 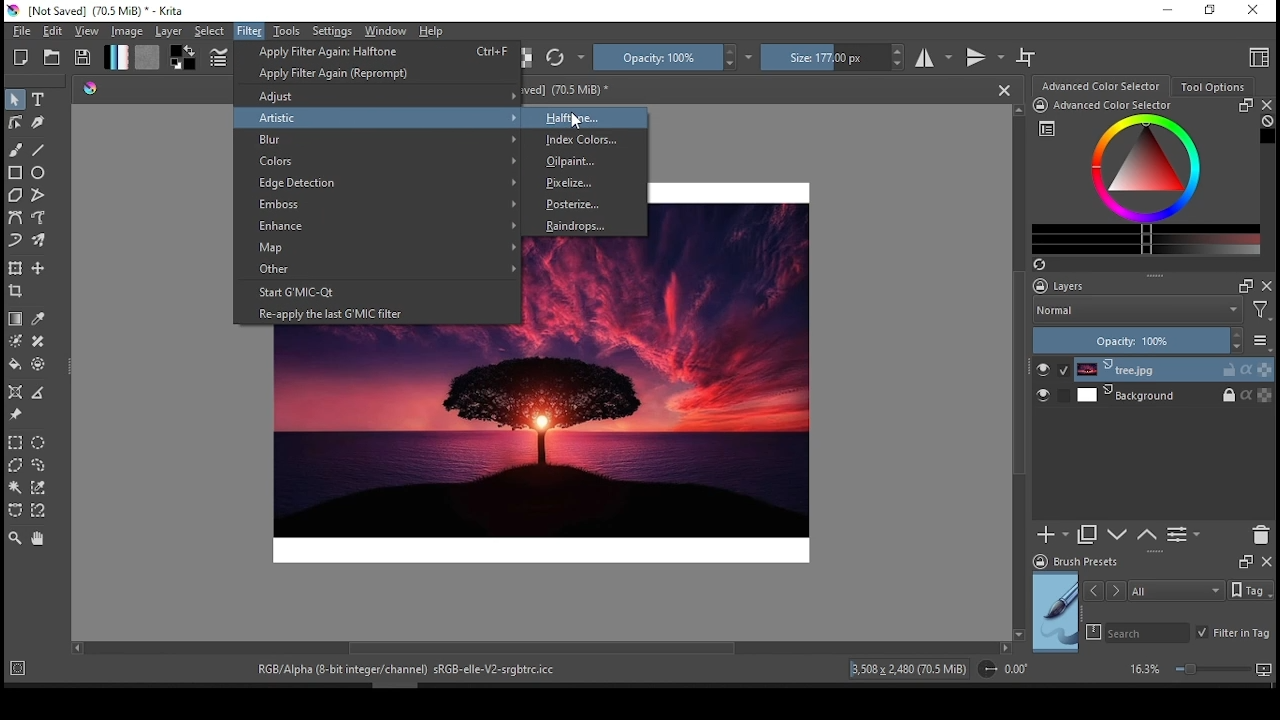 What do you see at coordinates (1265, 562) in the screenshot?
I see `close docker` at bounding box center [1265, 562].